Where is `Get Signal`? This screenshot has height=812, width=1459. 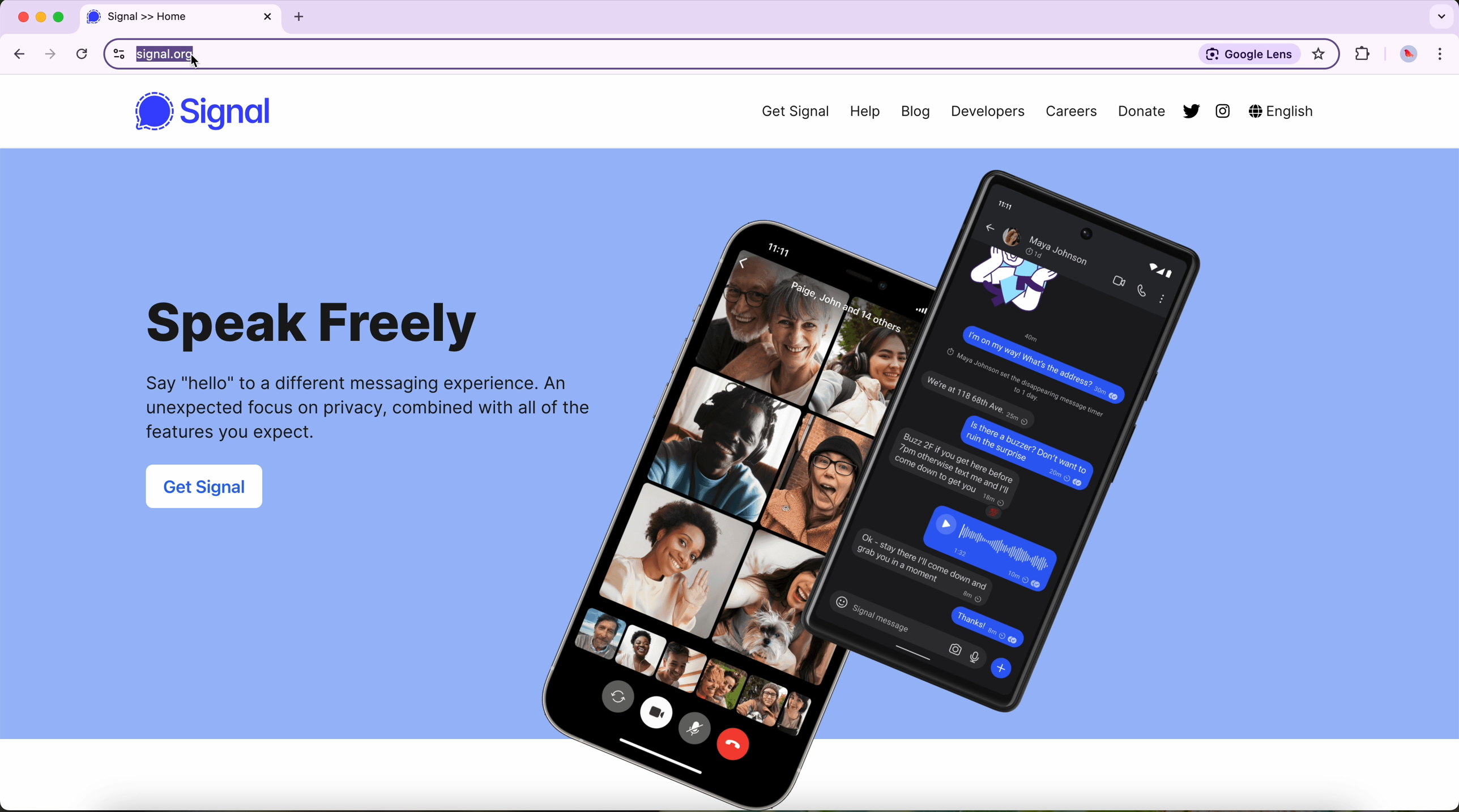 Get Signal is located at coordinates (786, 111).